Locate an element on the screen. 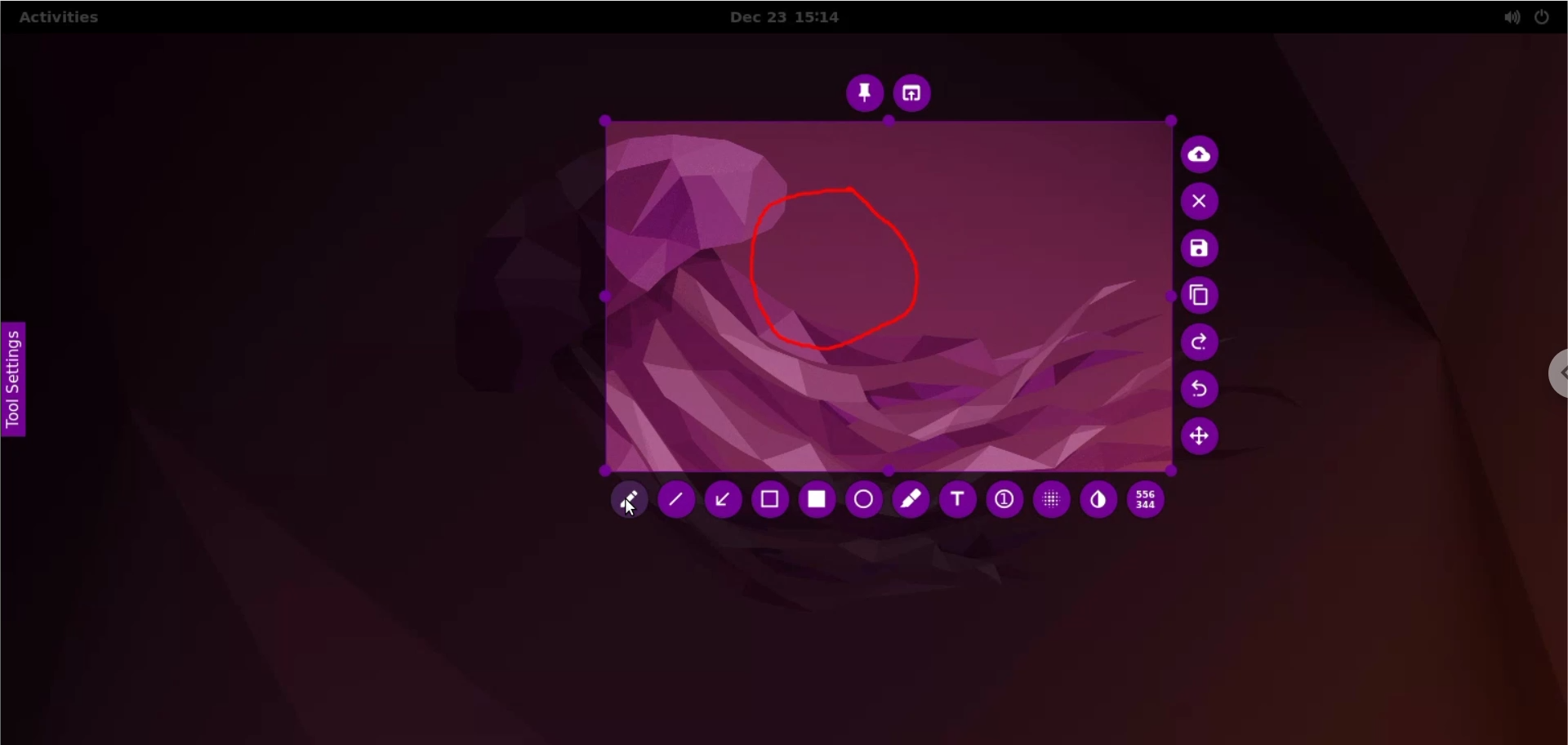 The image size is (1568, 745). move selection is located at coordinates (1203, 440).